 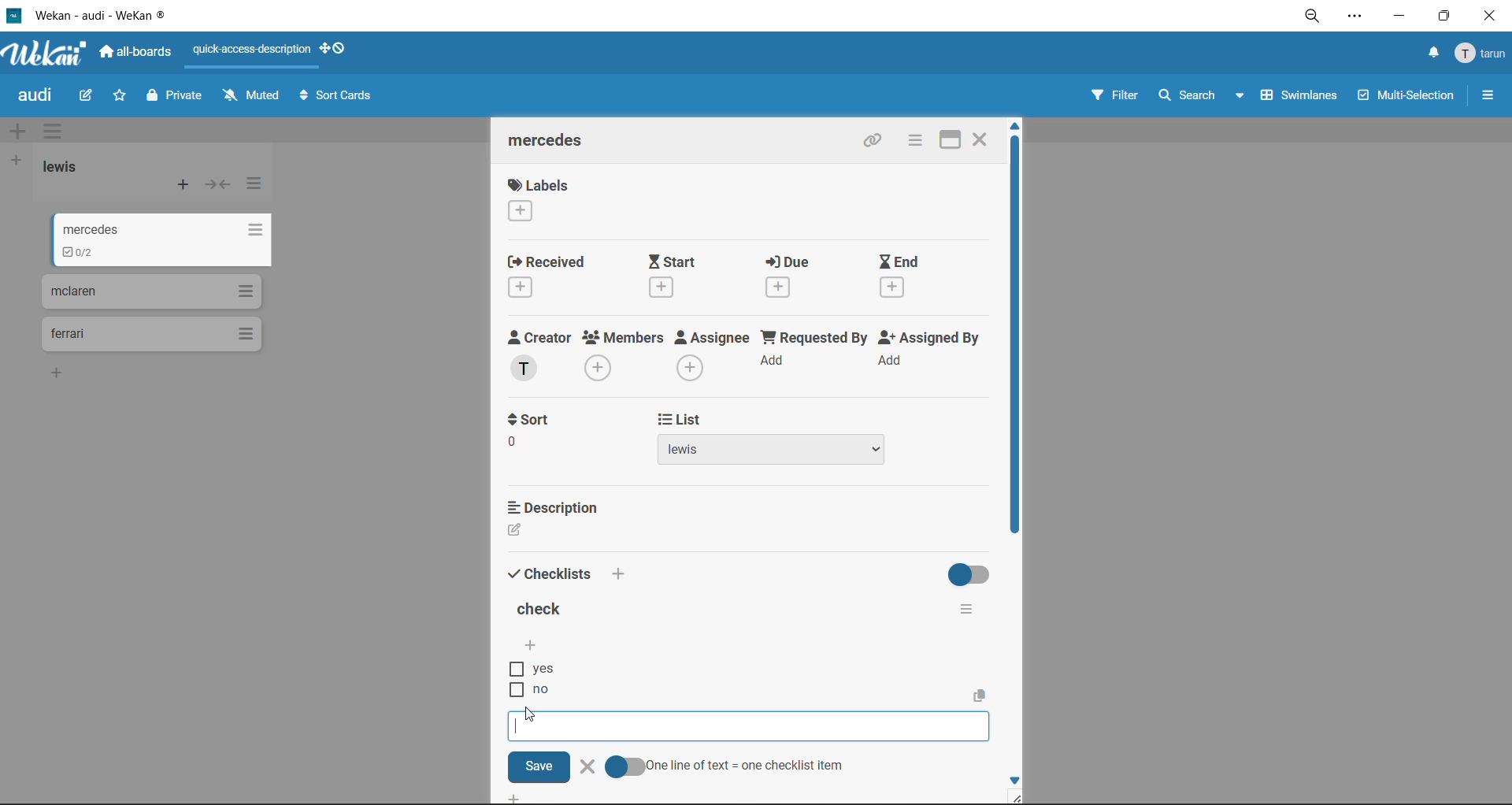 What do you see at coordinates (179, 97) in the screenshot?
I see `private` at bounding box center [179, 97].